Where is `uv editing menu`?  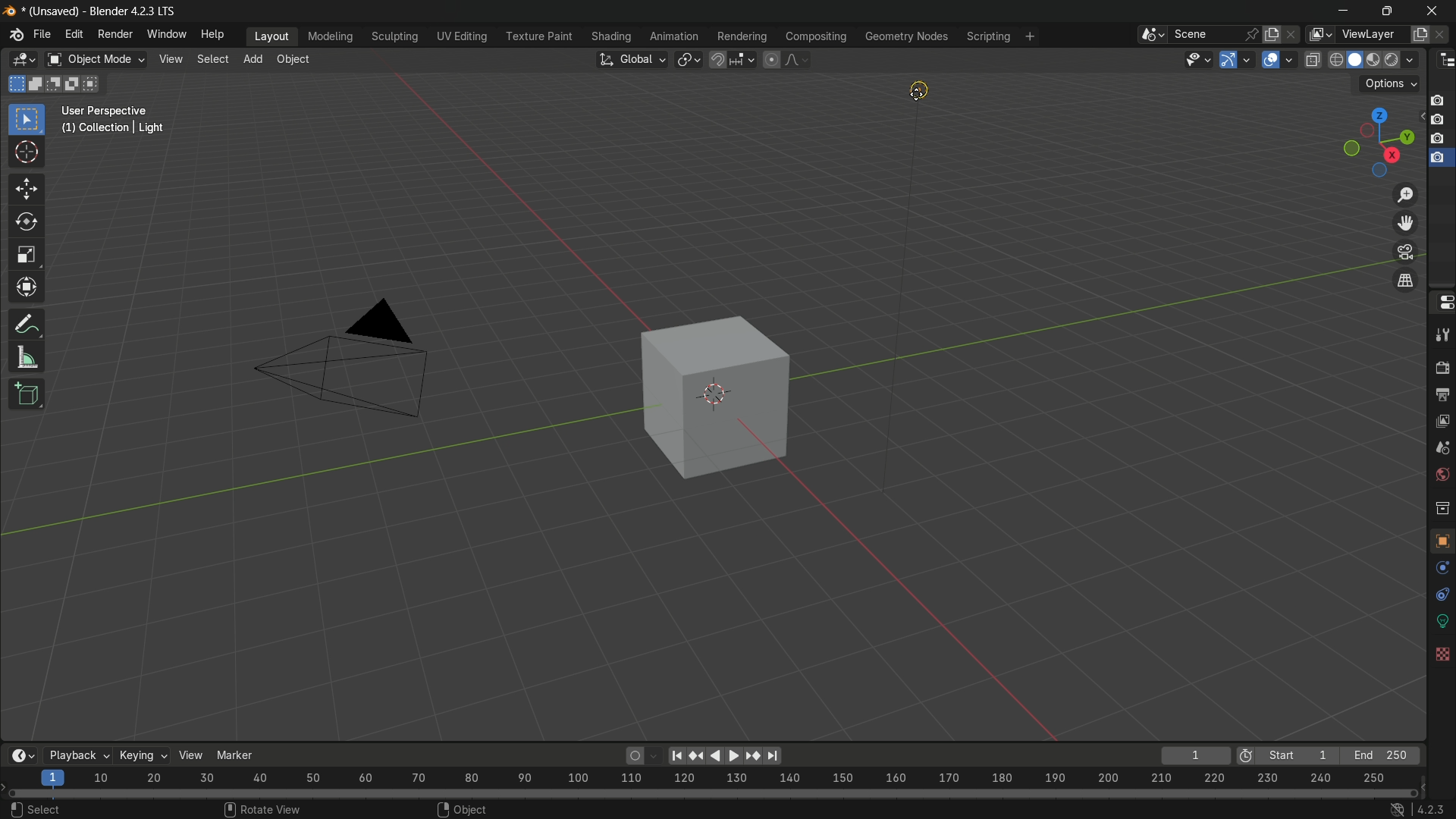 uv editing menu is located at coordinates (463, 37).